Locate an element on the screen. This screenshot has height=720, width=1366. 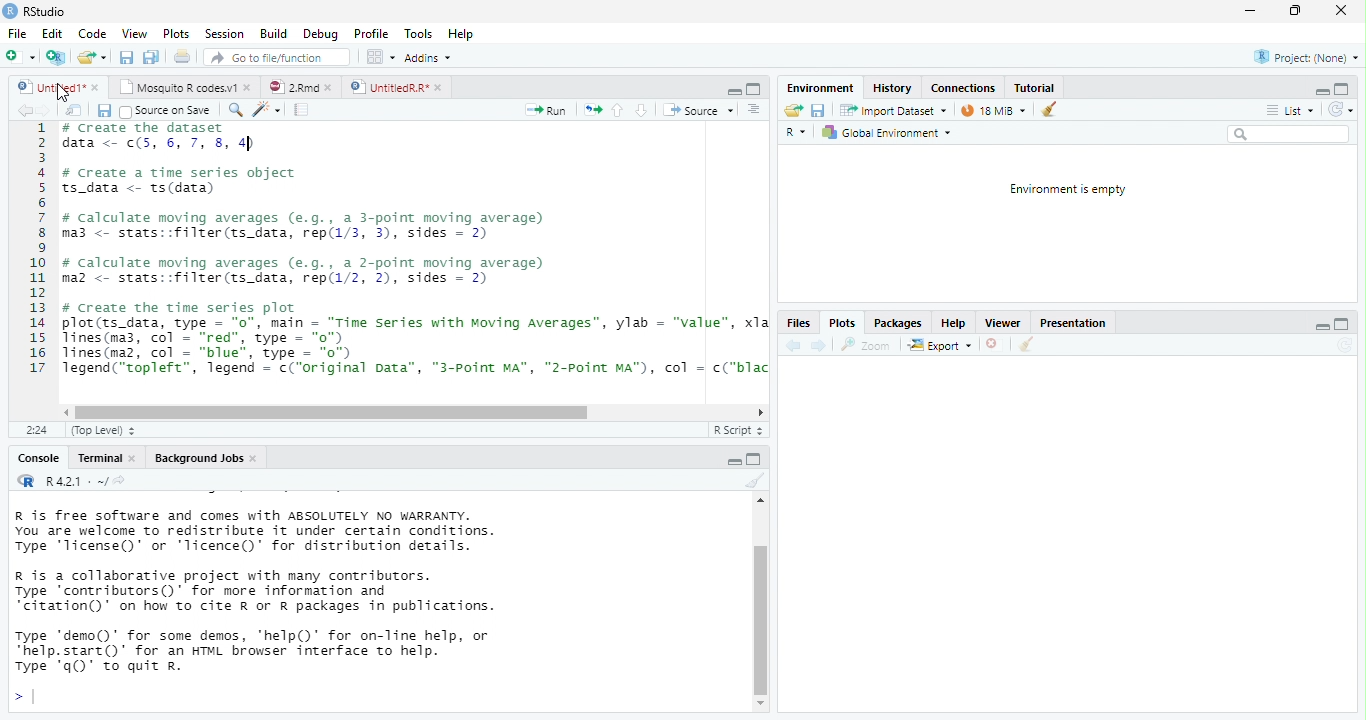
scrollbar left is located at coordinates (63, 412).